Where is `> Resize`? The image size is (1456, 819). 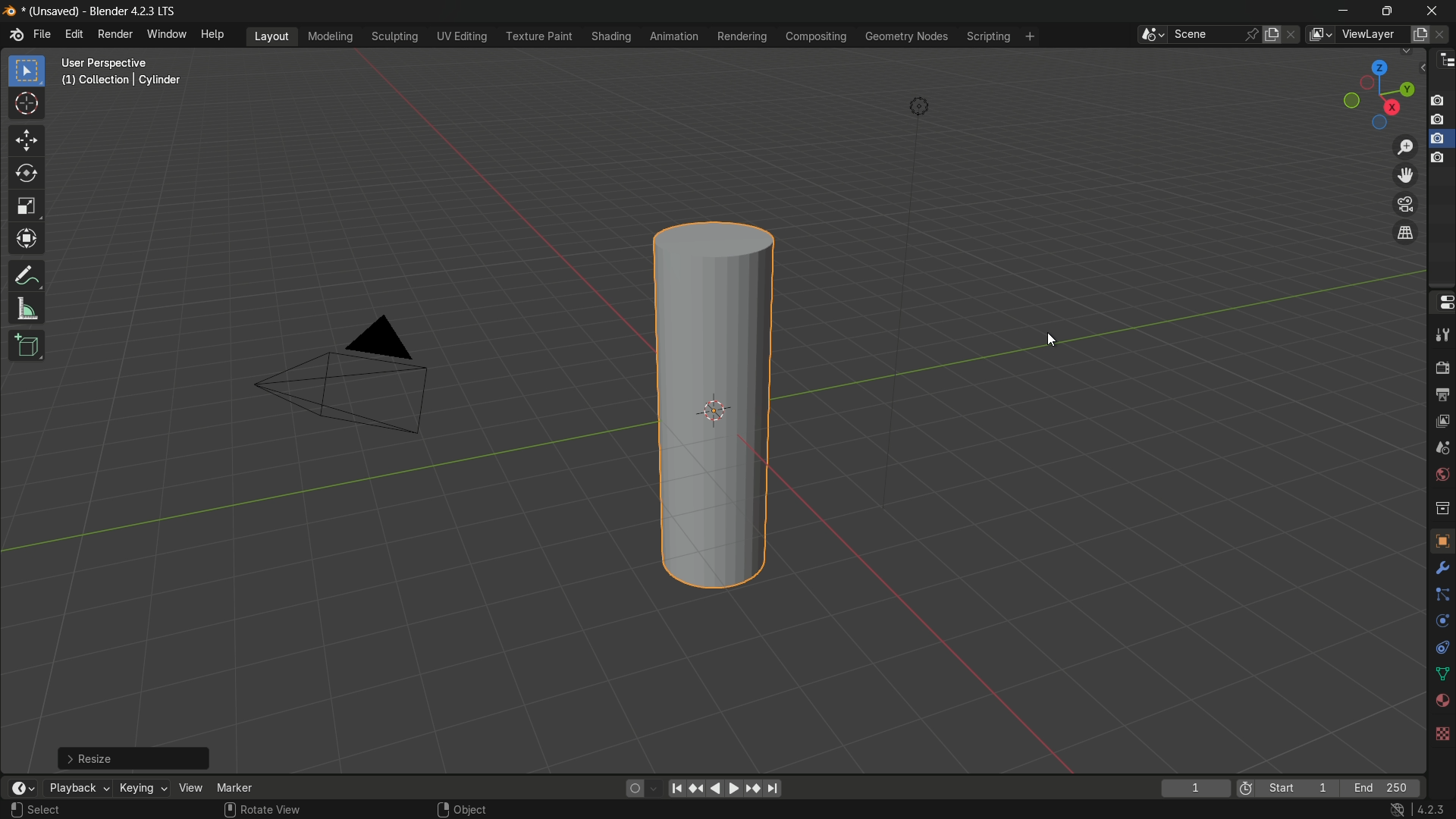 > Resize is located at coordinates (134, 758).